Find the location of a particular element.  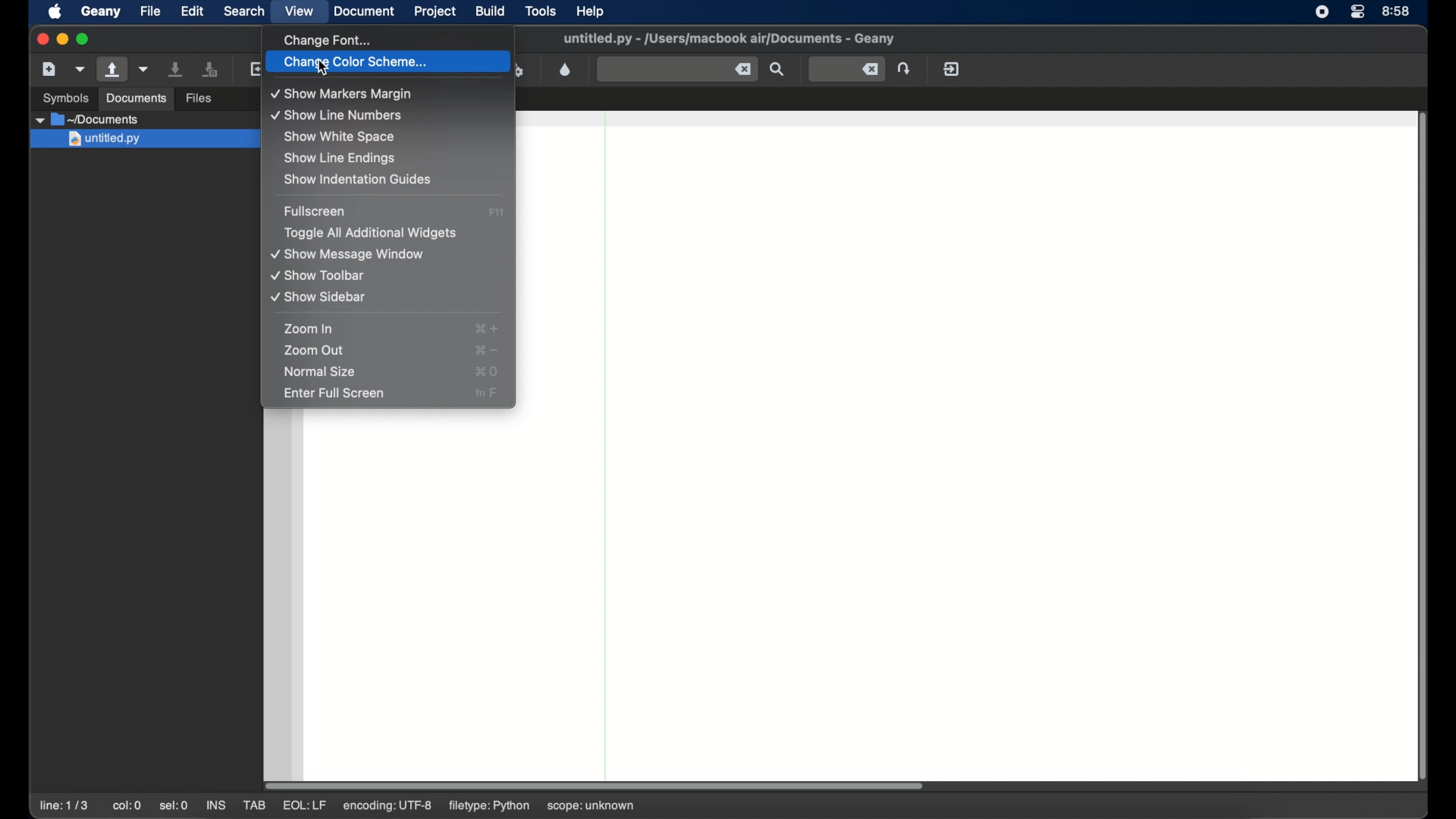

tab is located at coordinates (256, 805).